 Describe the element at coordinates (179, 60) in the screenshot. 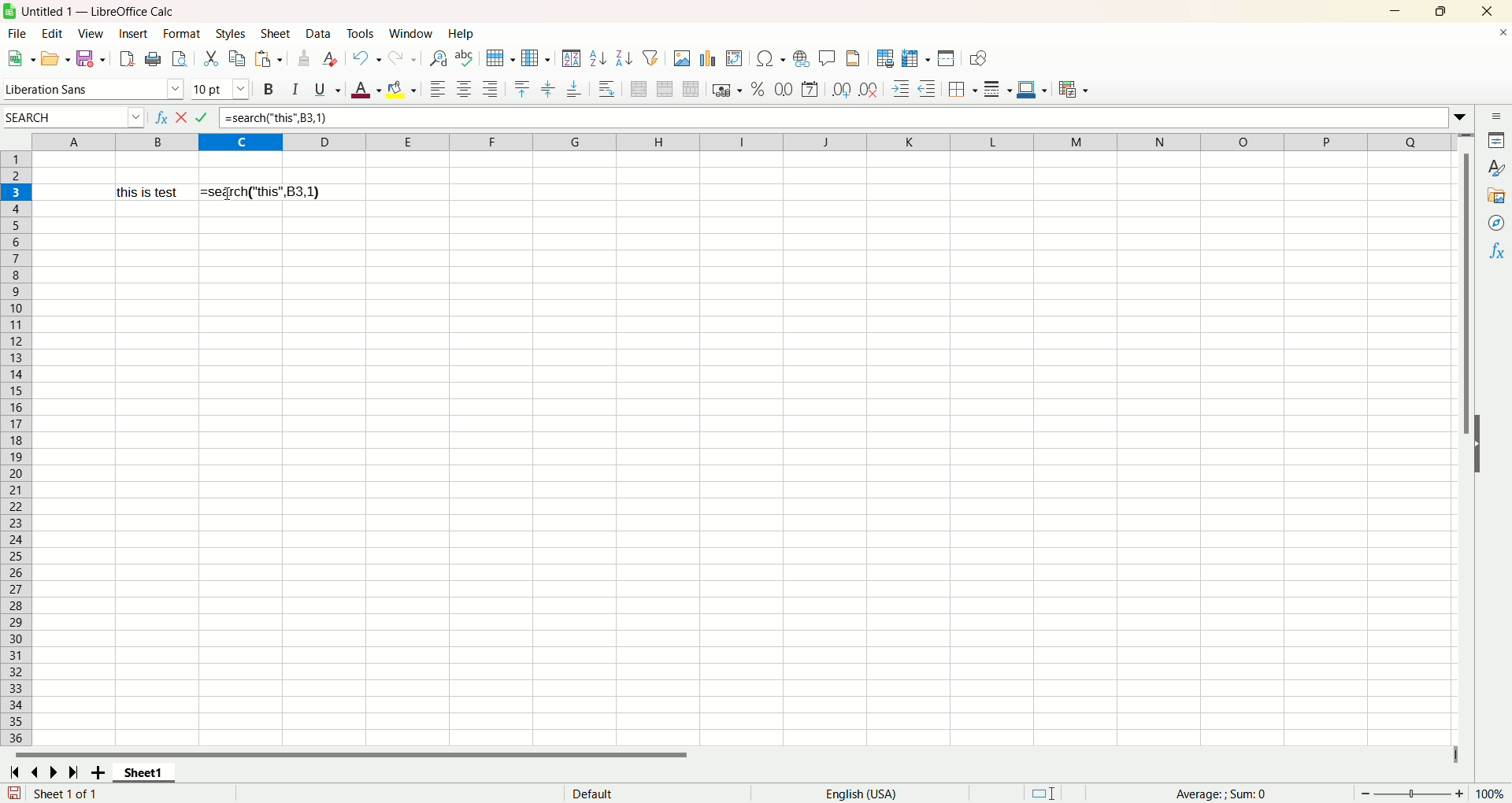

I see `print preview` at that location.